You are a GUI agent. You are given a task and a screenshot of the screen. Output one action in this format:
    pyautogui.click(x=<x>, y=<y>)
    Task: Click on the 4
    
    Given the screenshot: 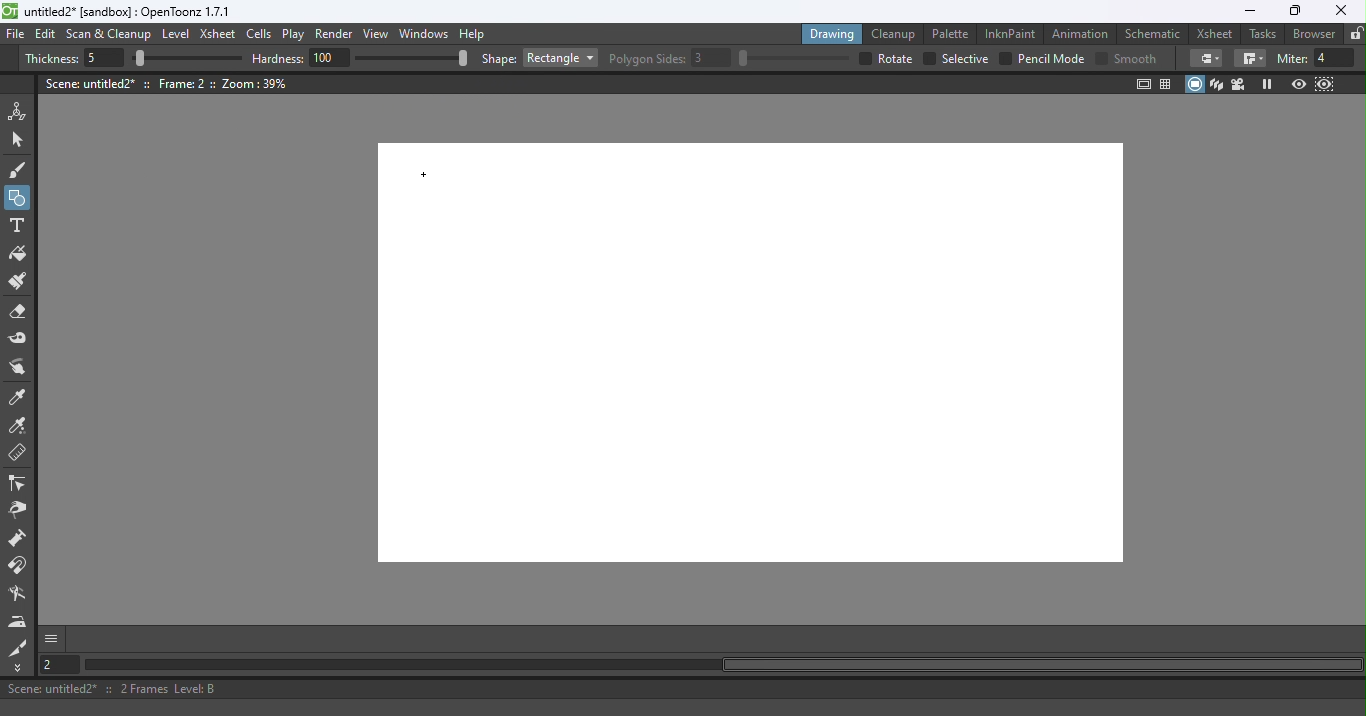 What is the action you would take?
    pyautogui.click(x=1335, y=58)
    